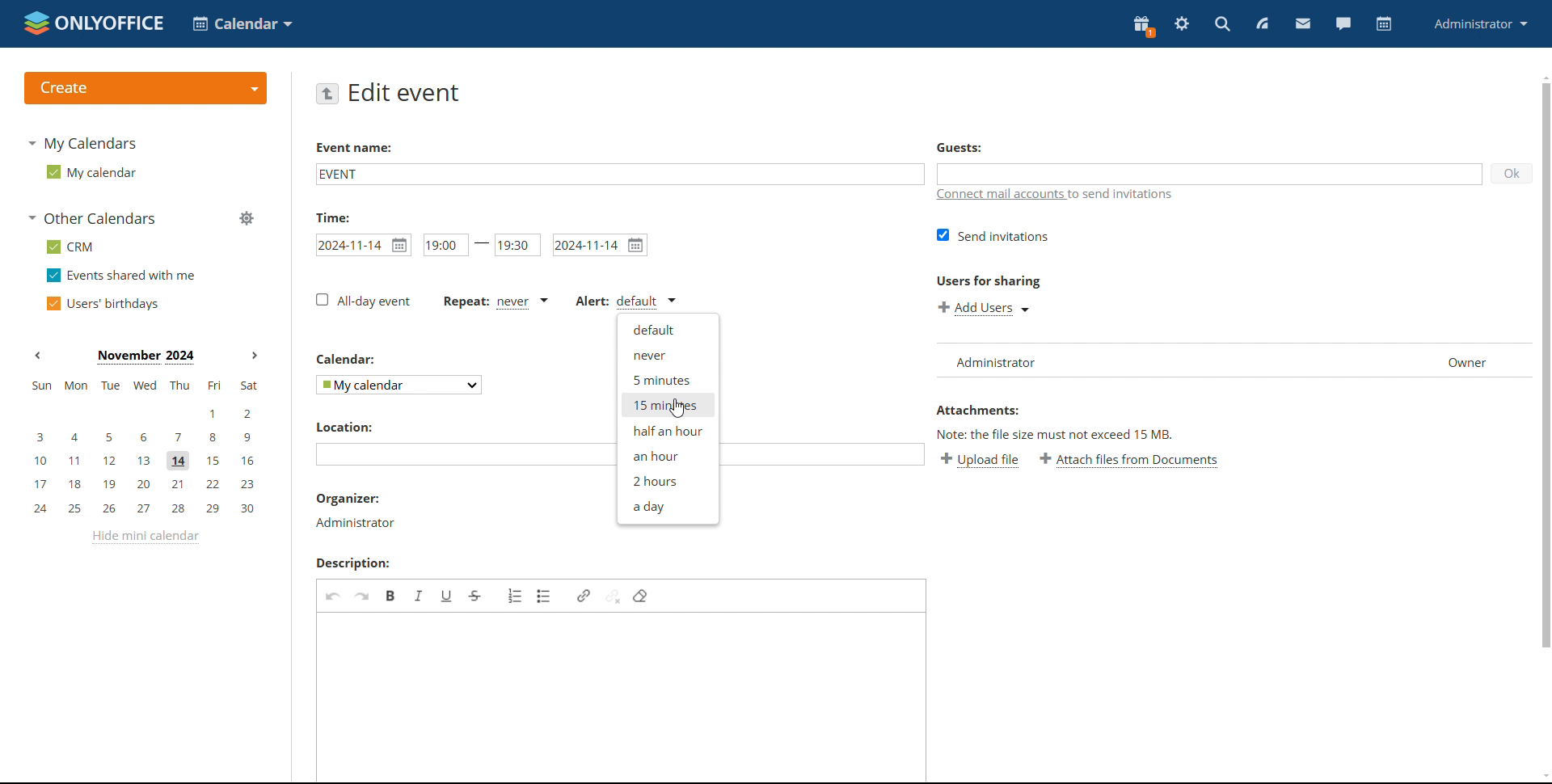 This screenshot has width=1552, height=784. Describe the element at coordinates (92, 23) in the screenshot. I see `logo` at that location.